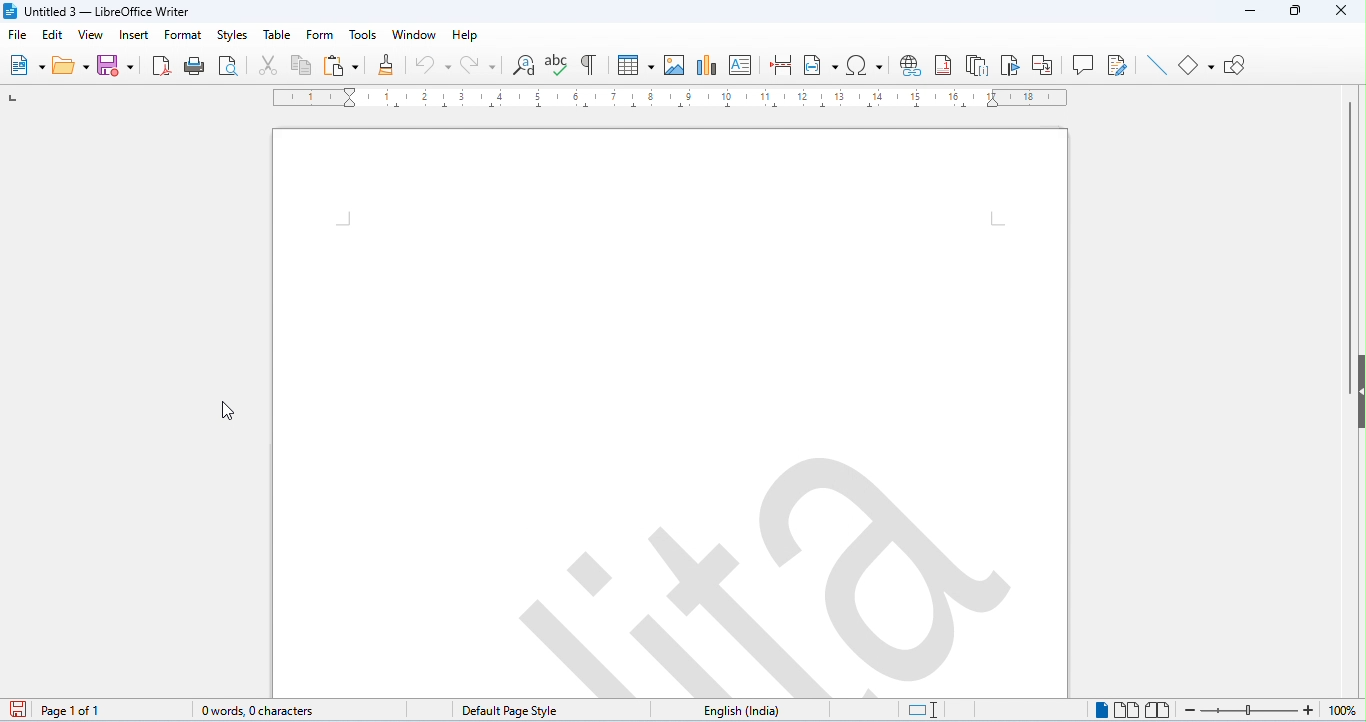  Describe the element at coordinates (499, 708) in the screenshot. I see `default page style` at that location.